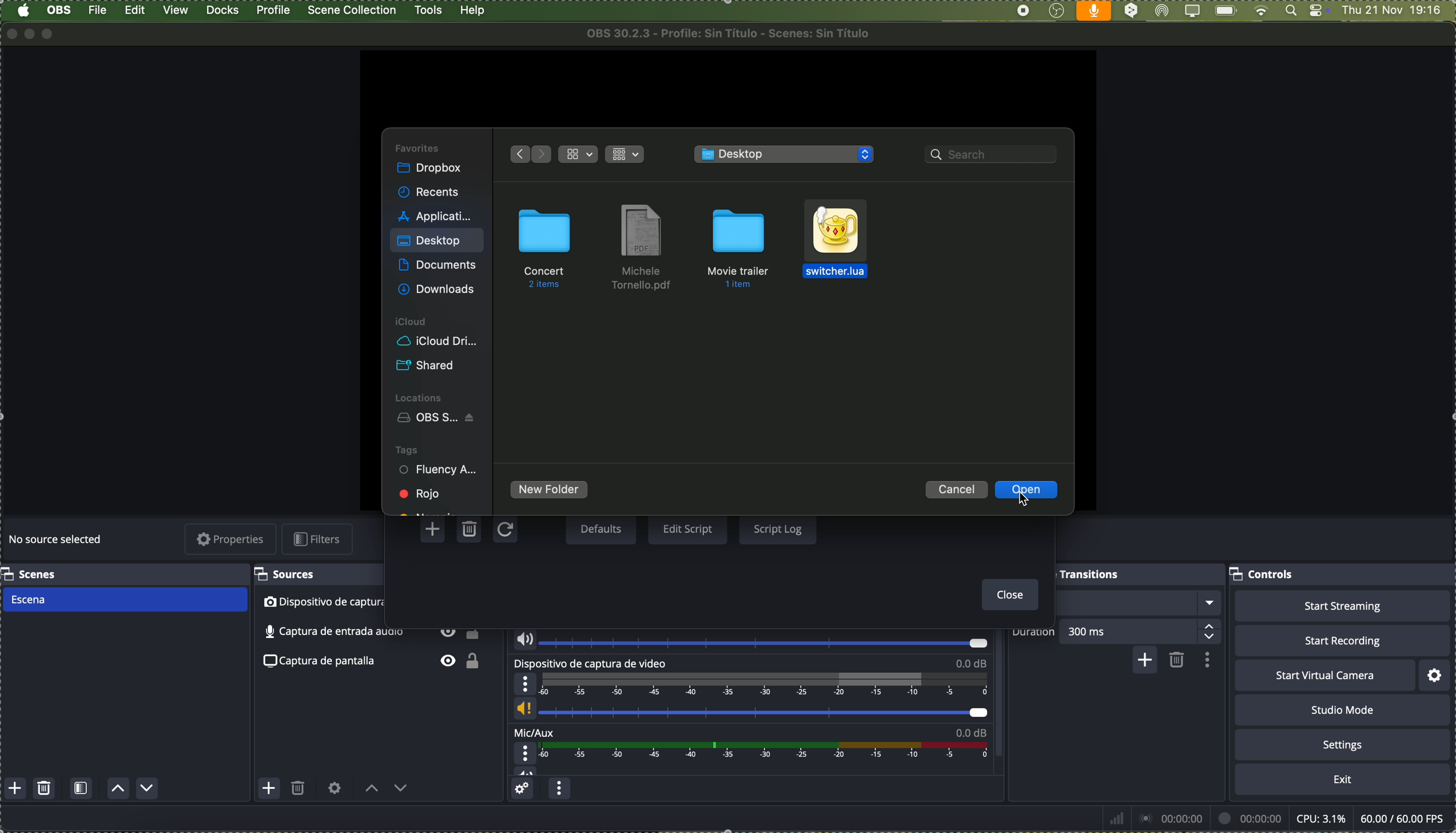 This screenshot has height=833, width=1456. What do you see at coordinates (320, 539) in the screenshot?
I see `filters` at bounding box center [320, 539].